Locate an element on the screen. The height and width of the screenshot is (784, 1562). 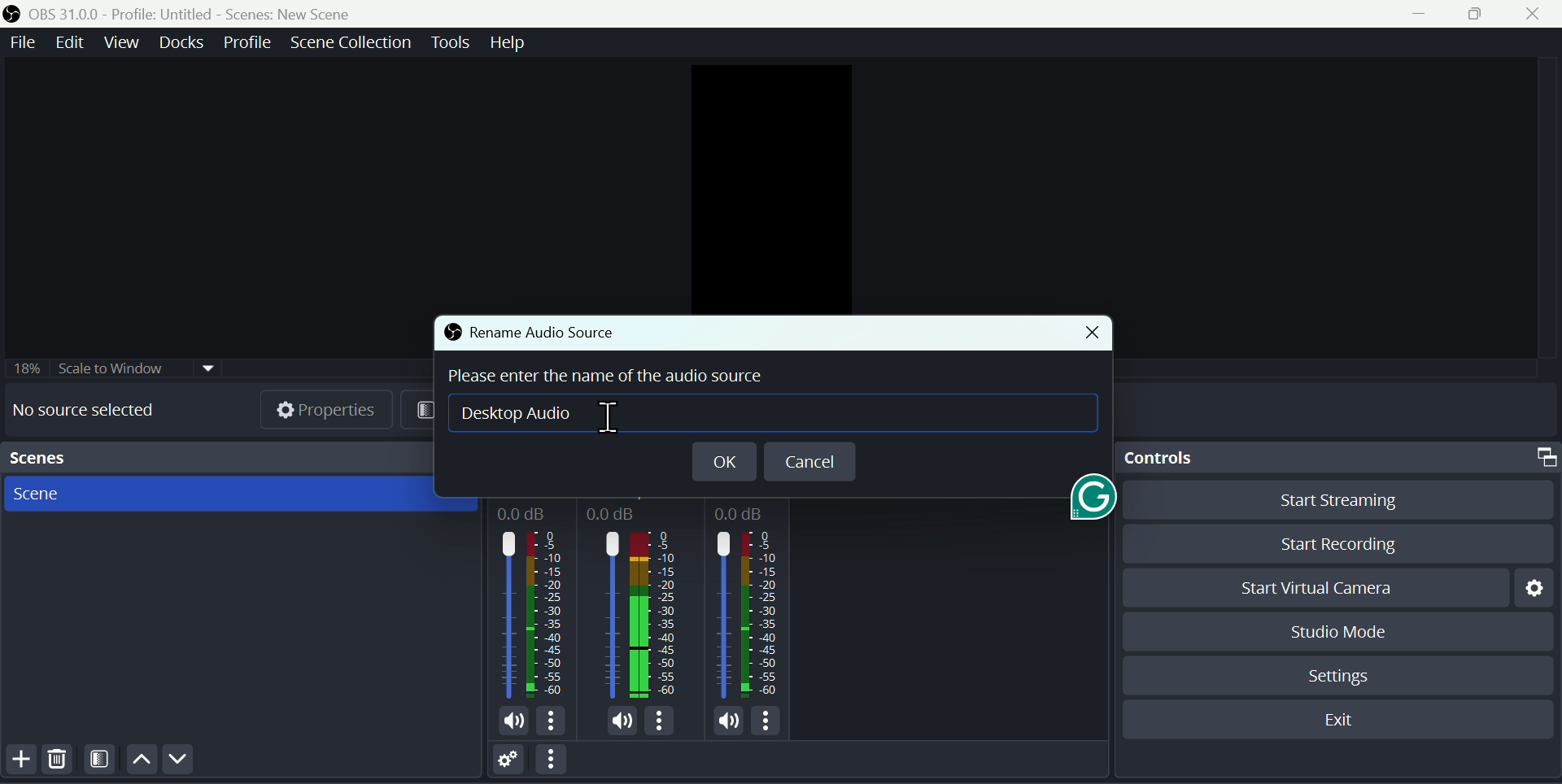
minimise is located at coordinates (1411, 17).